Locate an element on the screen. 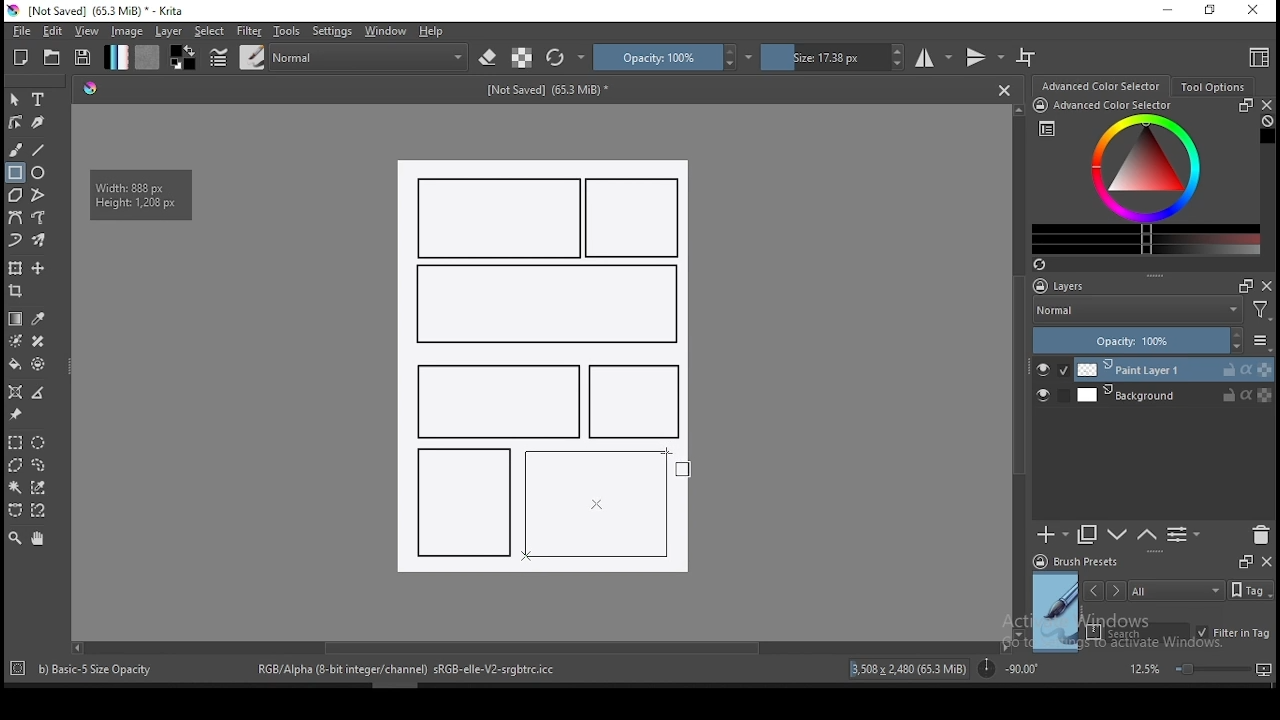 The height and width of the screenshot is (720, 1280). layers is located at coordinates (1065, 287).